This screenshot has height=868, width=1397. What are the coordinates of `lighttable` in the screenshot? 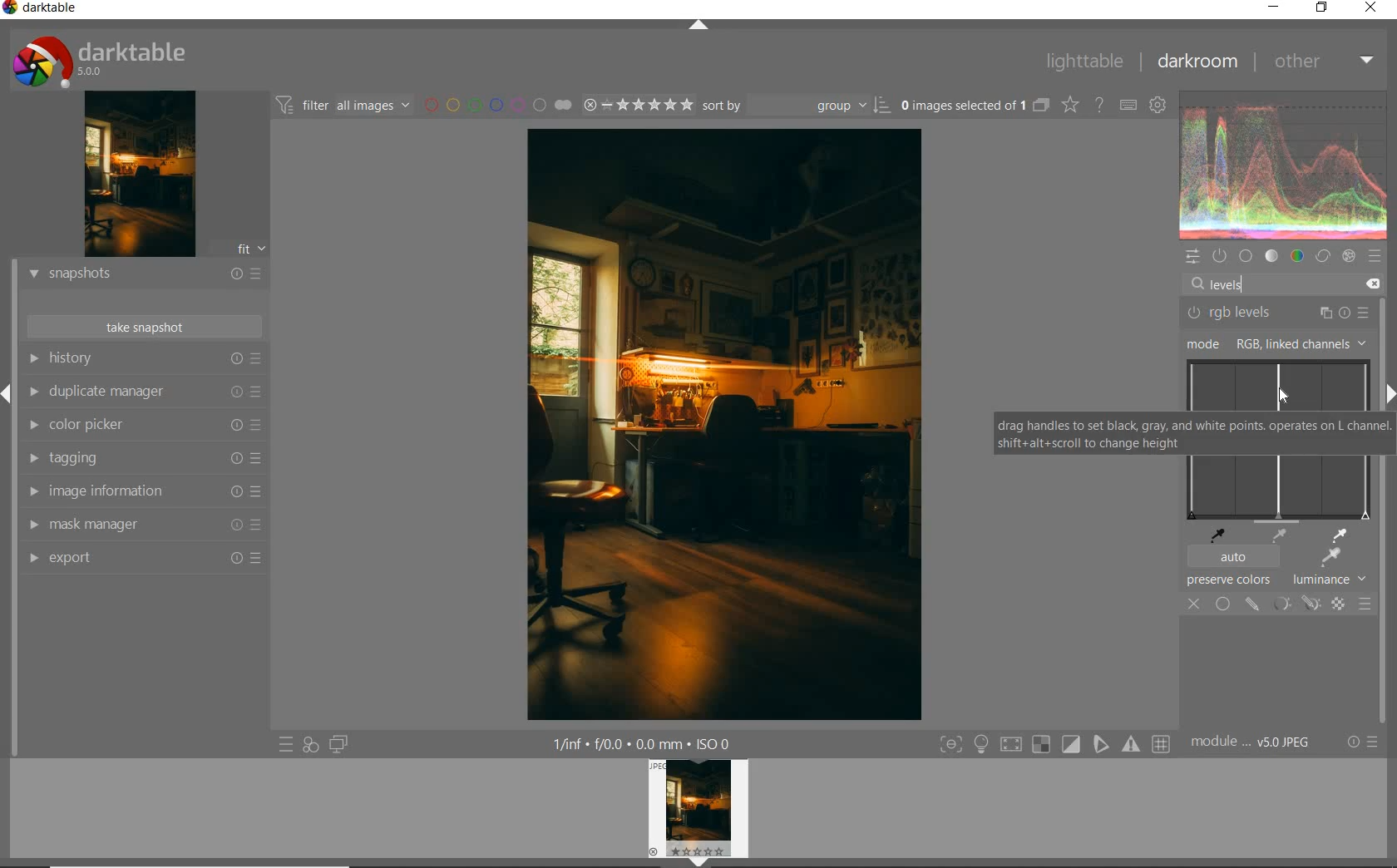 It's located at (1085, 63).